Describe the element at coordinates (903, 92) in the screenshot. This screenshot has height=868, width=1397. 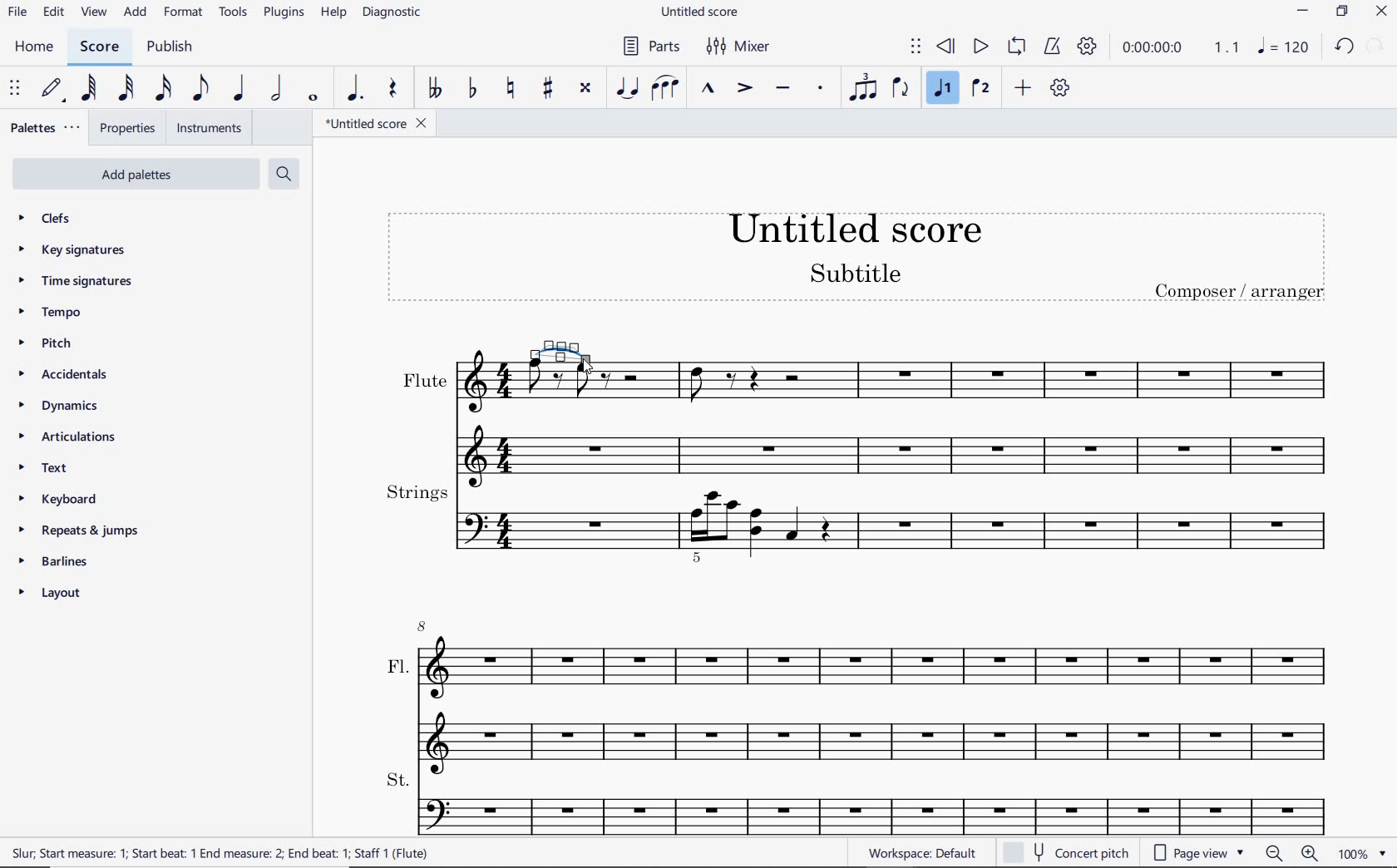
I see `FLIP DIRECTION` at that location.